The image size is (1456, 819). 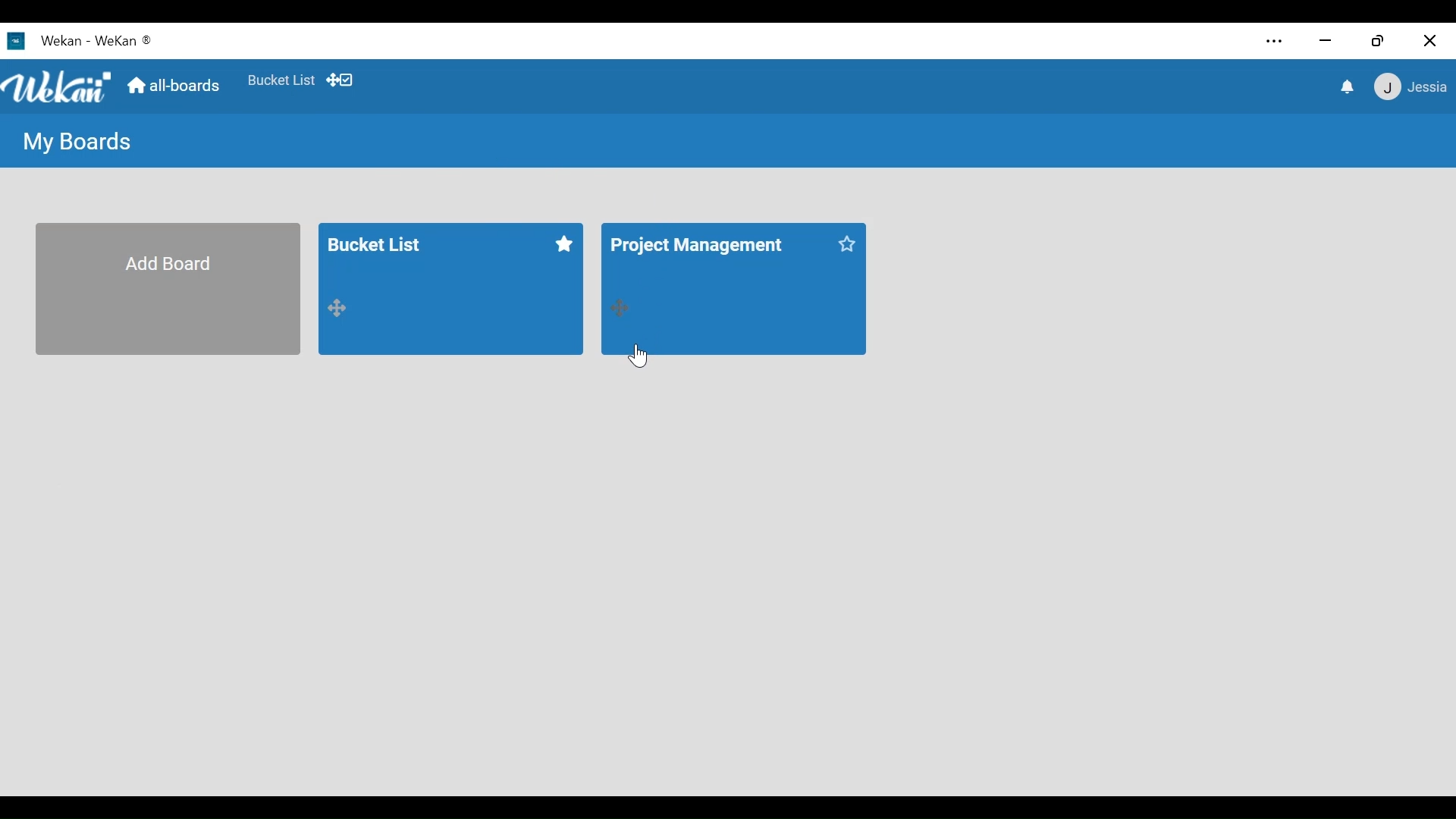 I want to click on star, so click(x=568, y=246).